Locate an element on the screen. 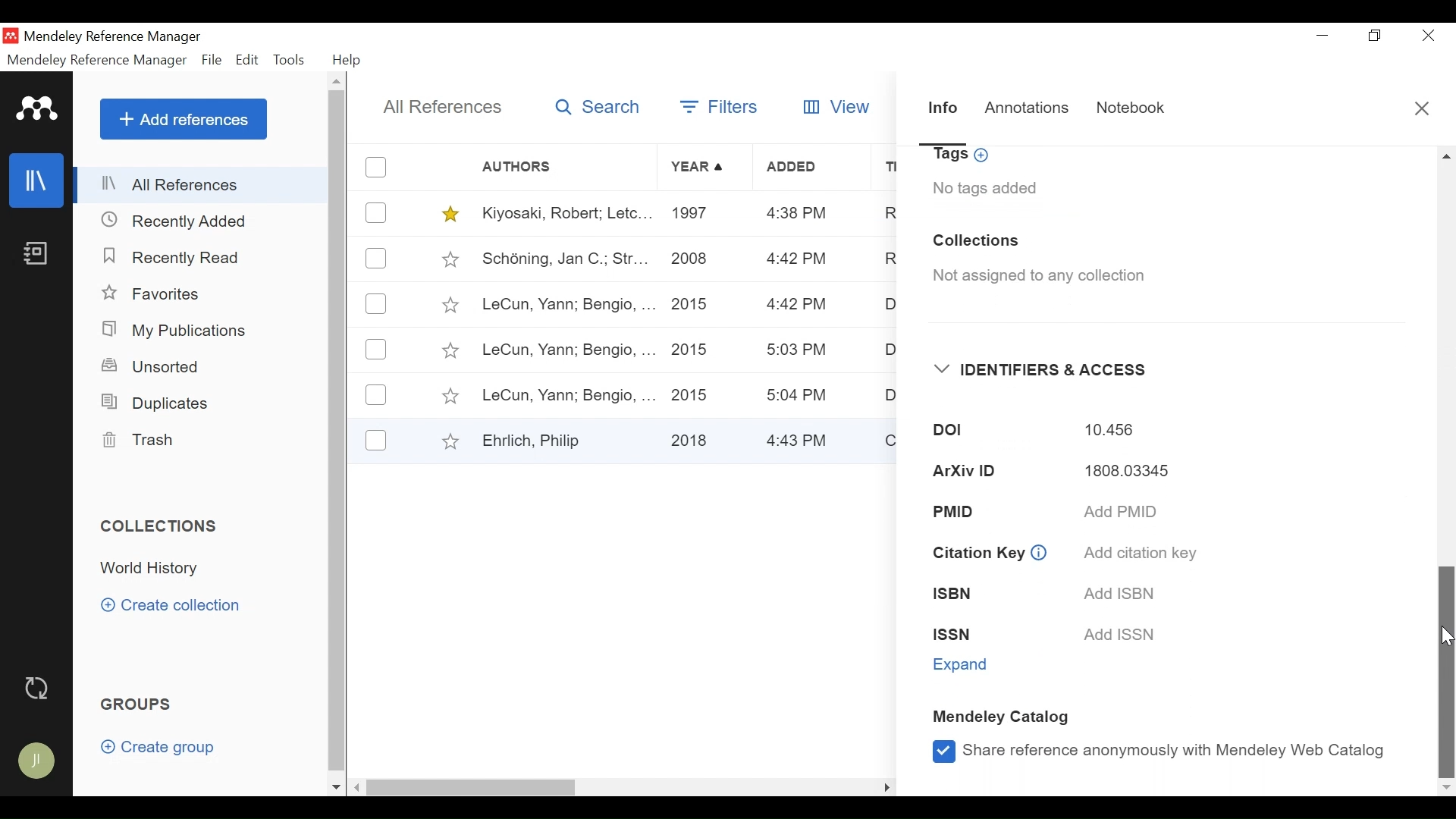 Image resolution: width=1456 pixels, height=819 pixels. Restore is located at coordinates (1375, 36).